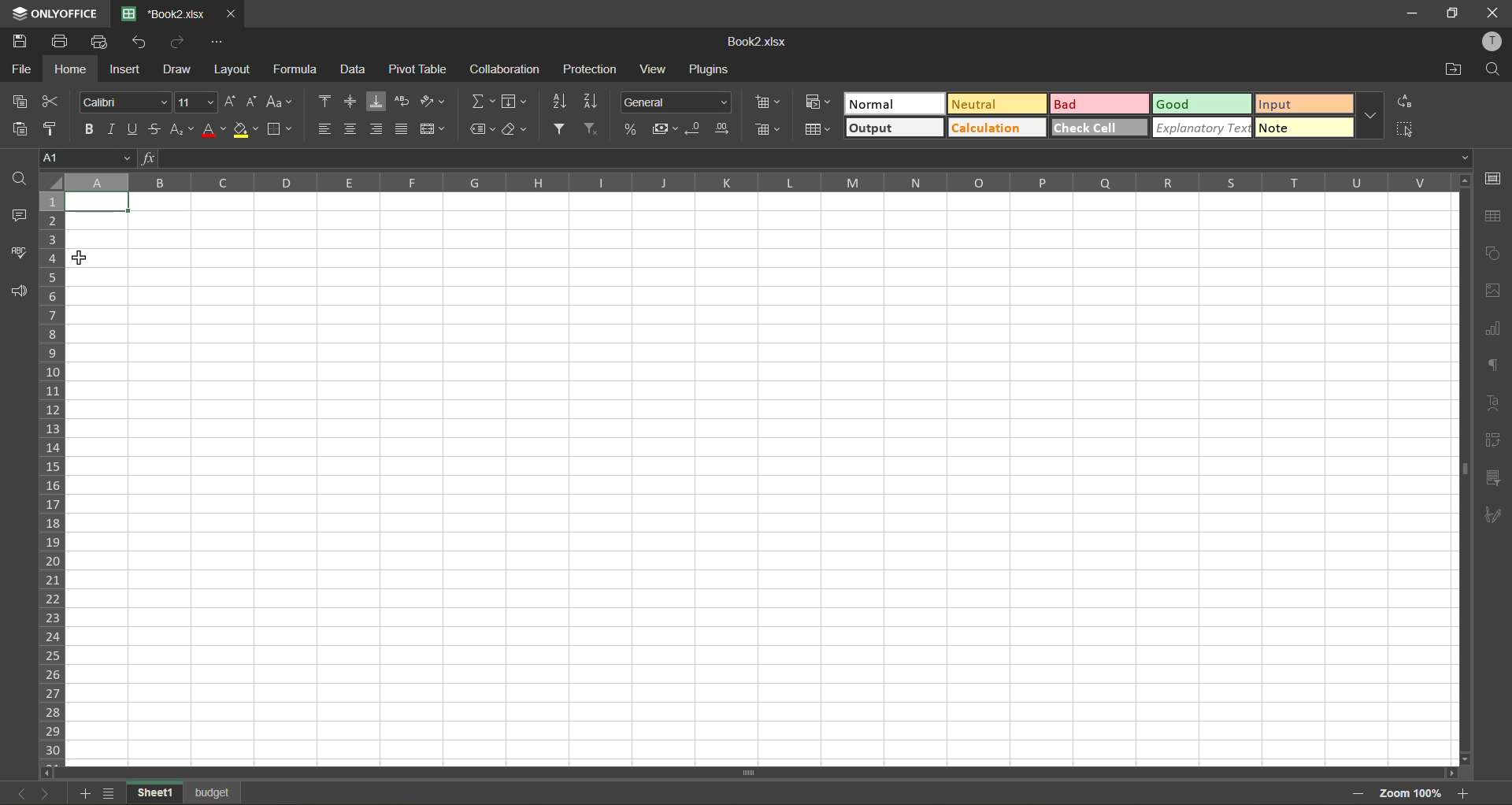 The height and width of the screenshot is (805, 1512). What do you see at coordinates (214, 791) in the screenshot?
I see `sheet name` at bounding box center [214, 791].